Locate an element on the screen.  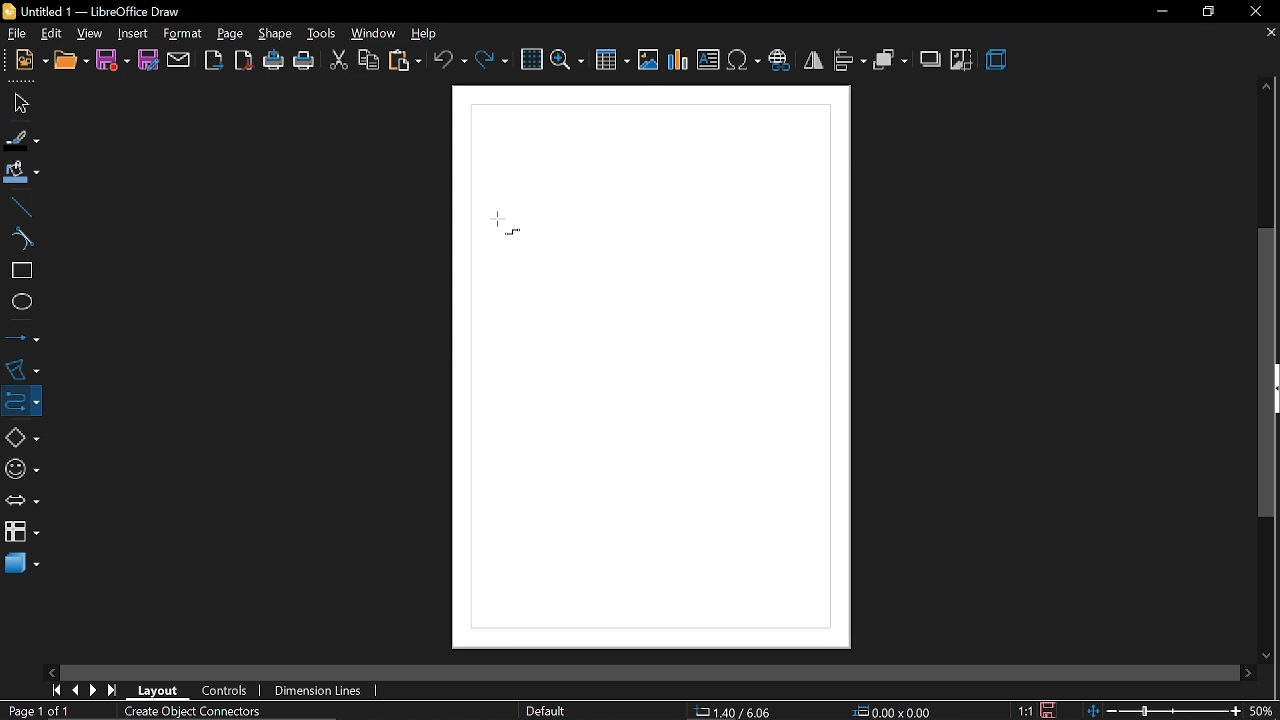
3d effect is located at coordinates (997, 62).